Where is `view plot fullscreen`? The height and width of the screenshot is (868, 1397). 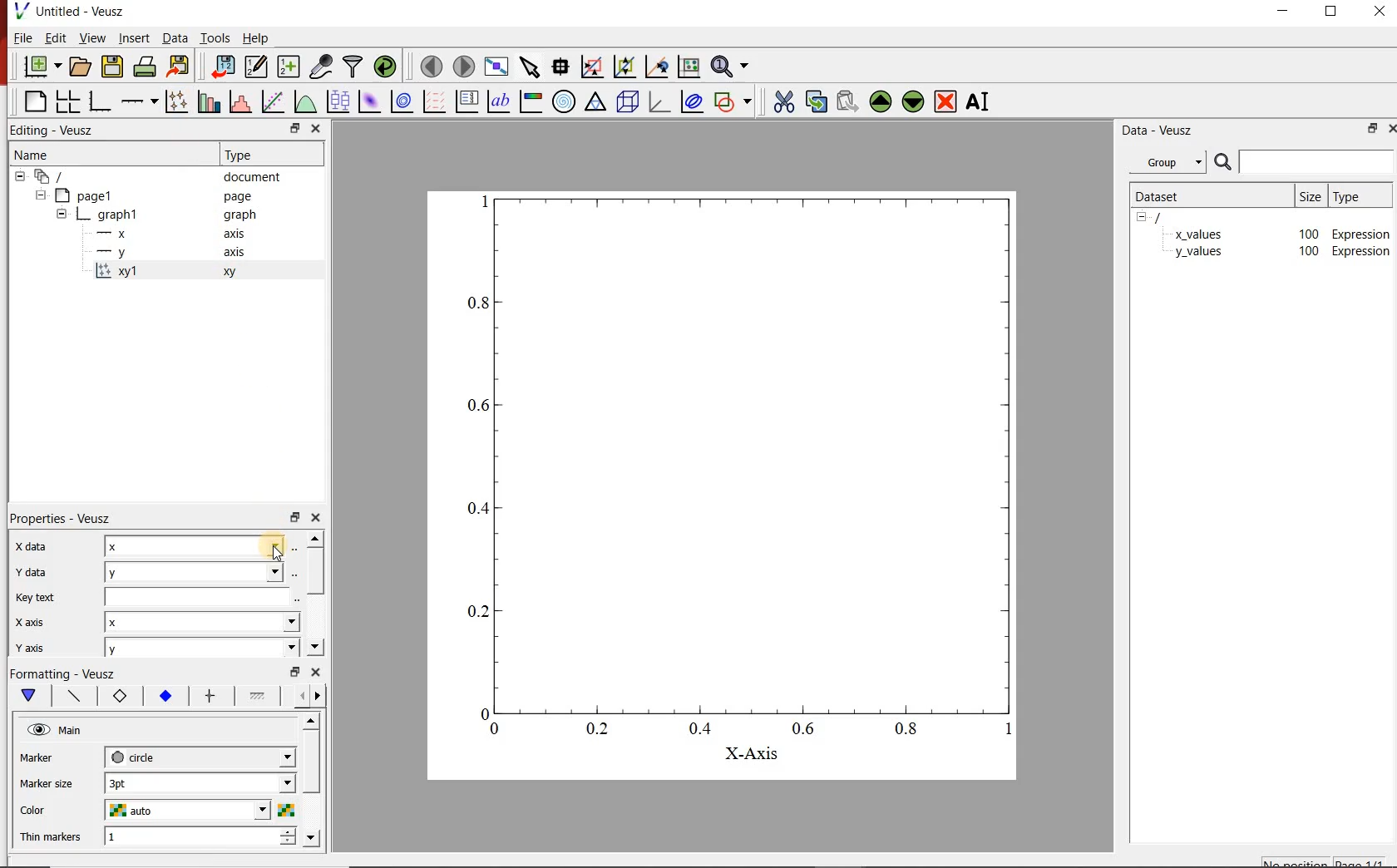
view plot fullscreen is located at coordinates (499, 67).